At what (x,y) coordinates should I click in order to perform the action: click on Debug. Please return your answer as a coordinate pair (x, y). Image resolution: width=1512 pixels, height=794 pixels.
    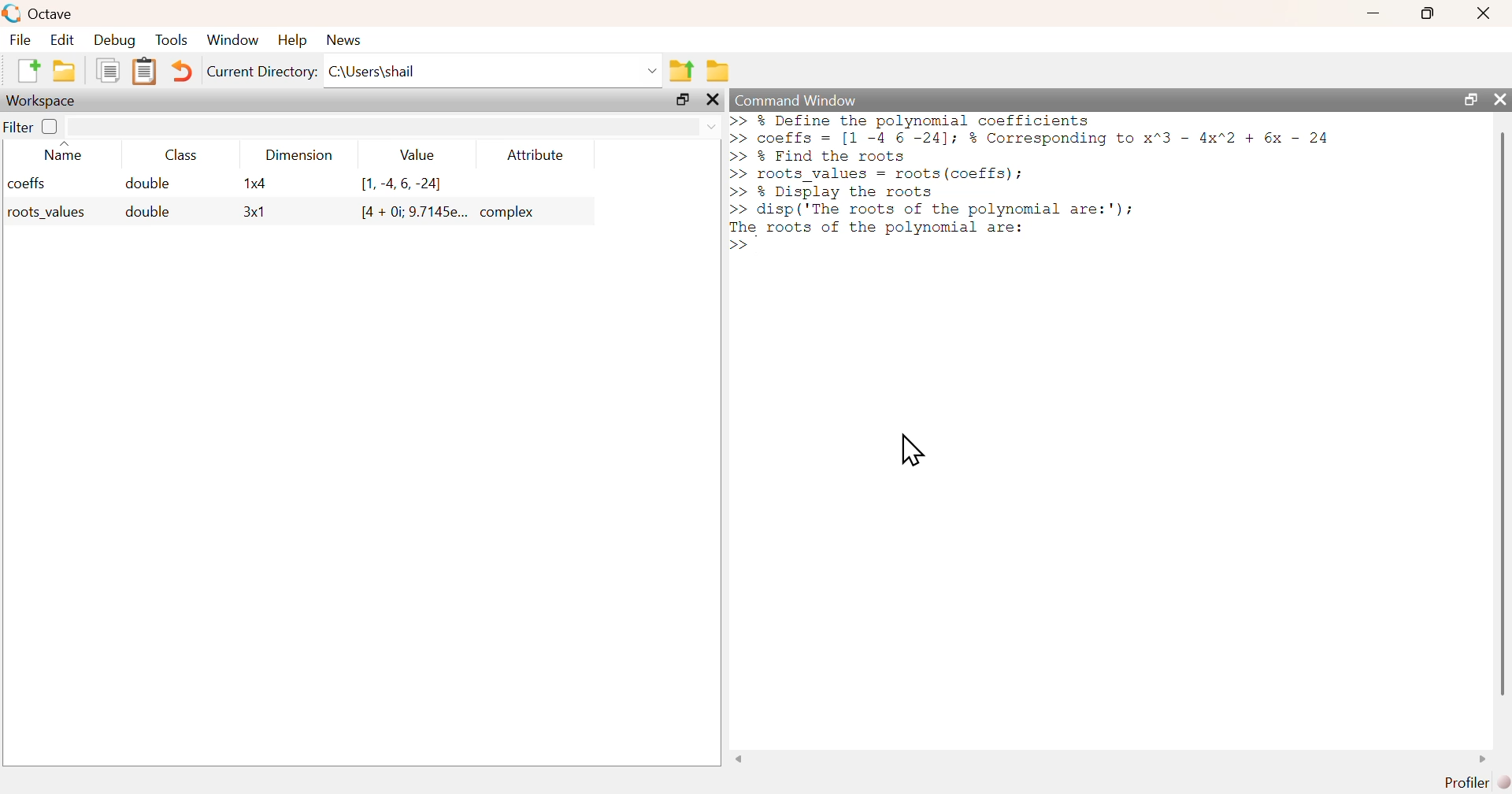
    Looking at the image, I should click on (117, 41).